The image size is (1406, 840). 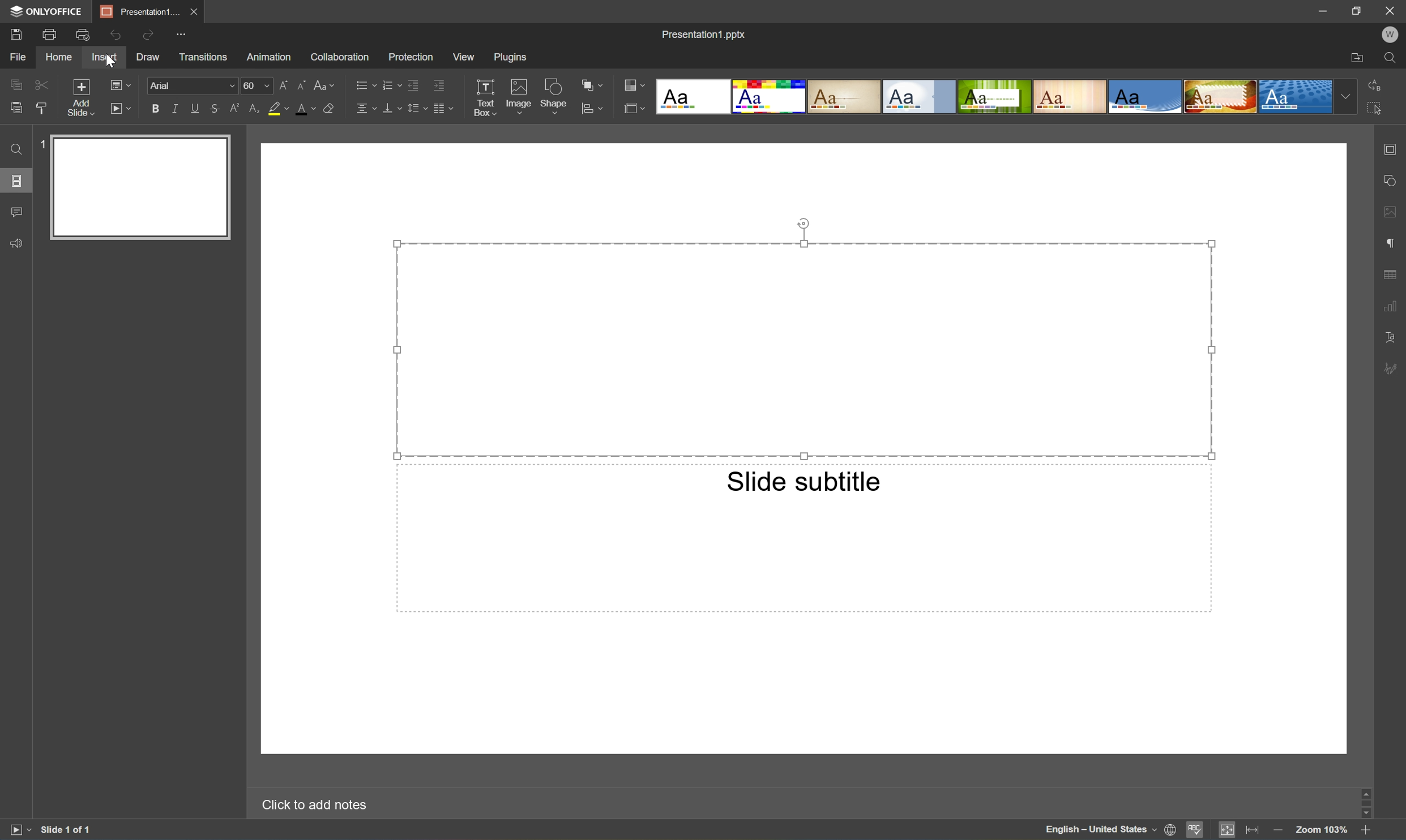 What do you see at coordinates (59, 56) in the screenshot?
I see `Home` at bounding box center [59, 56].